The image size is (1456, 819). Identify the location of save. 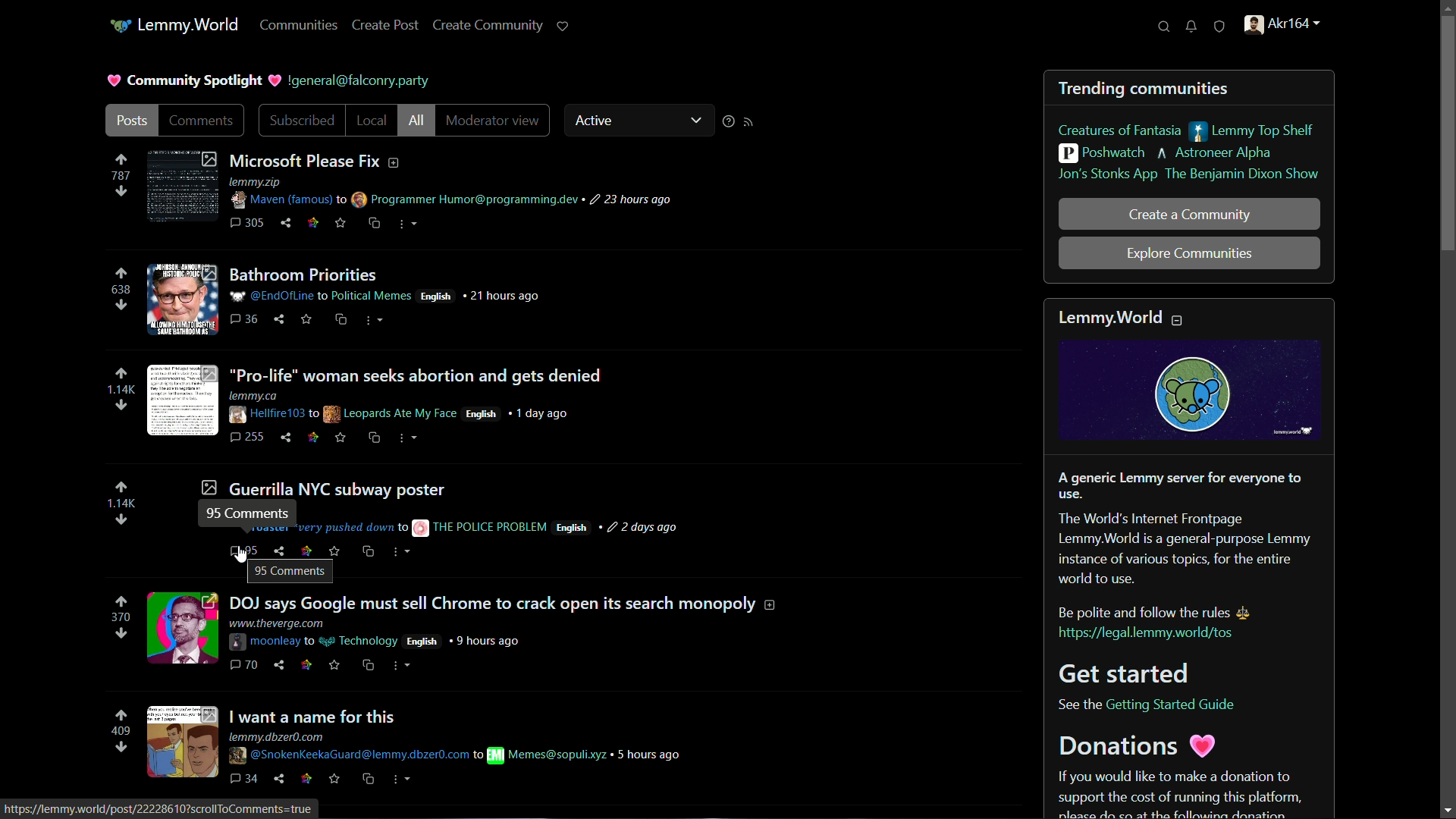
(338, 438).